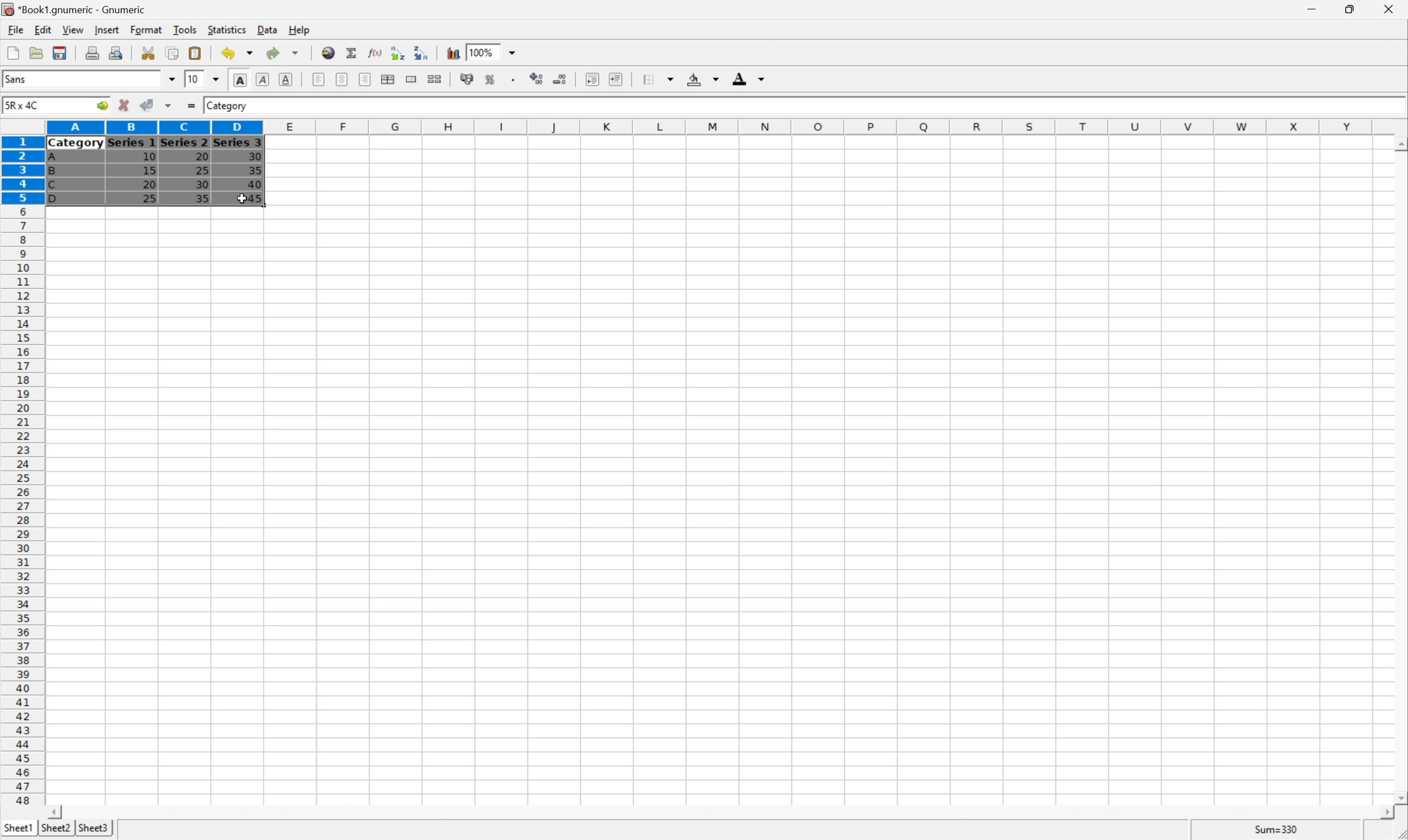 The image size is (1408, 840). I want to click on Minimize, so click(1308, 10).